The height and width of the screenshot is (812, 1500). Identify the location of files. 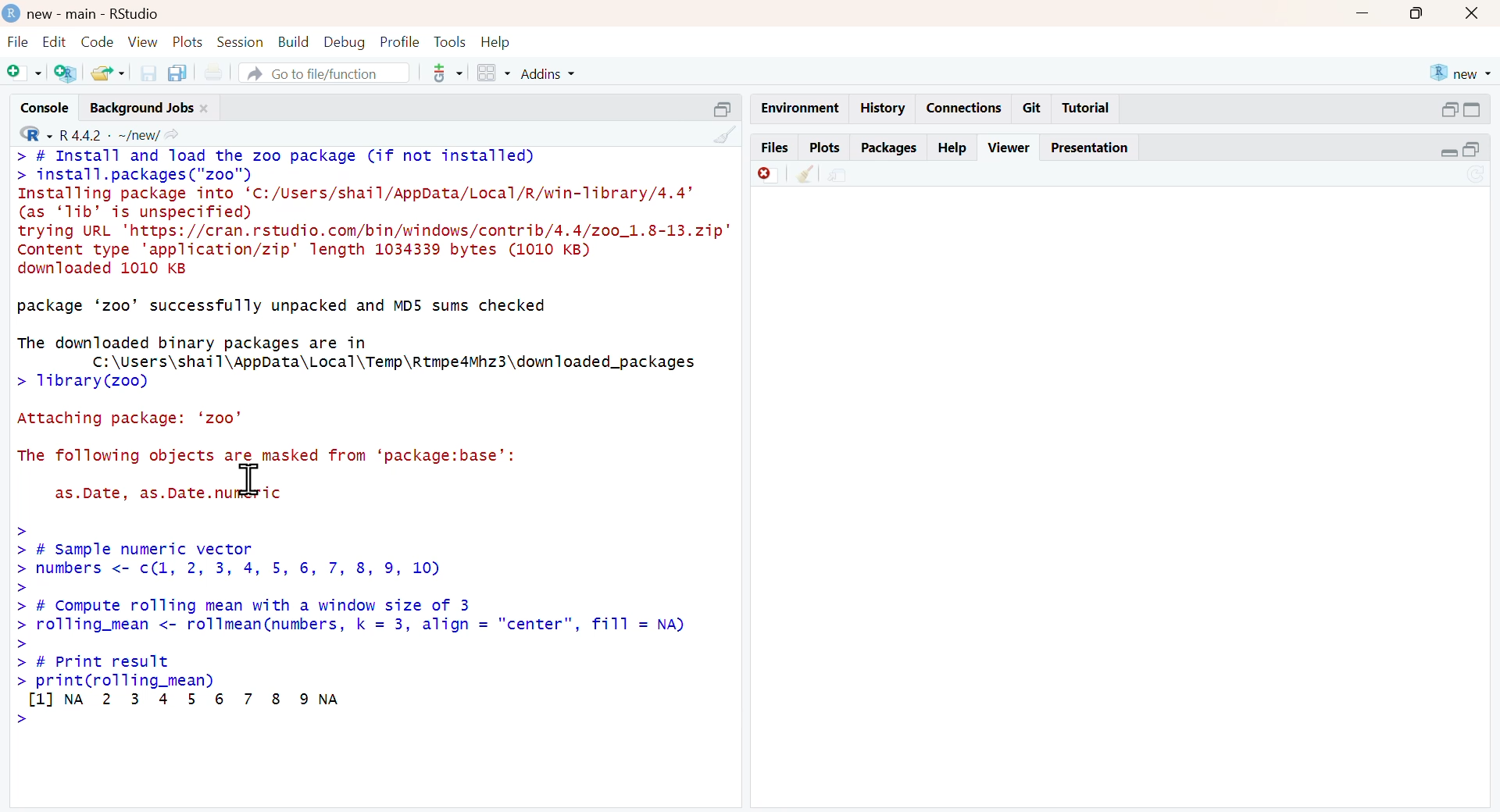
(773, 148).